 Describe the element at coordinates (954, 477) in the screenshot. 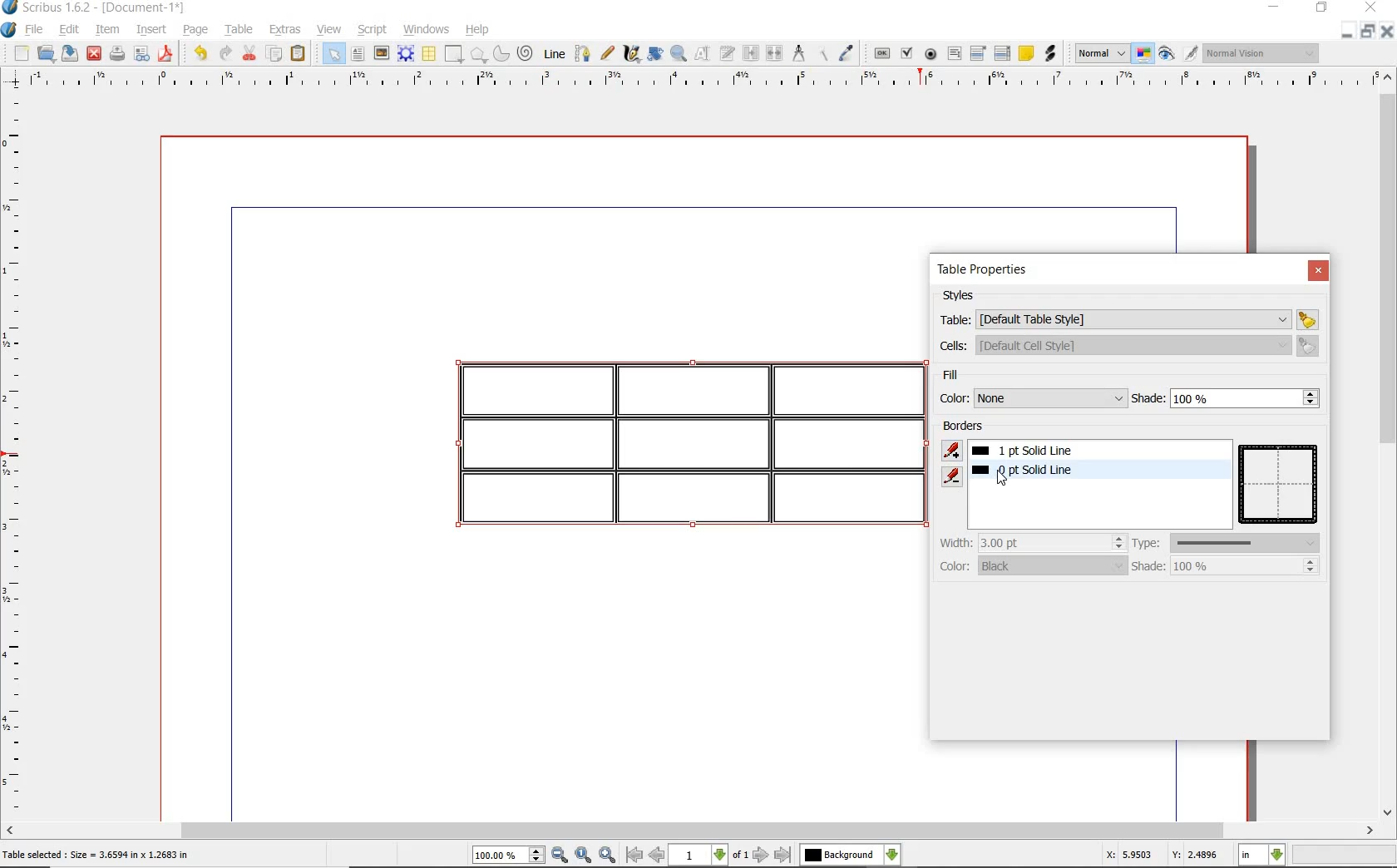

I see `remove border` at that location.